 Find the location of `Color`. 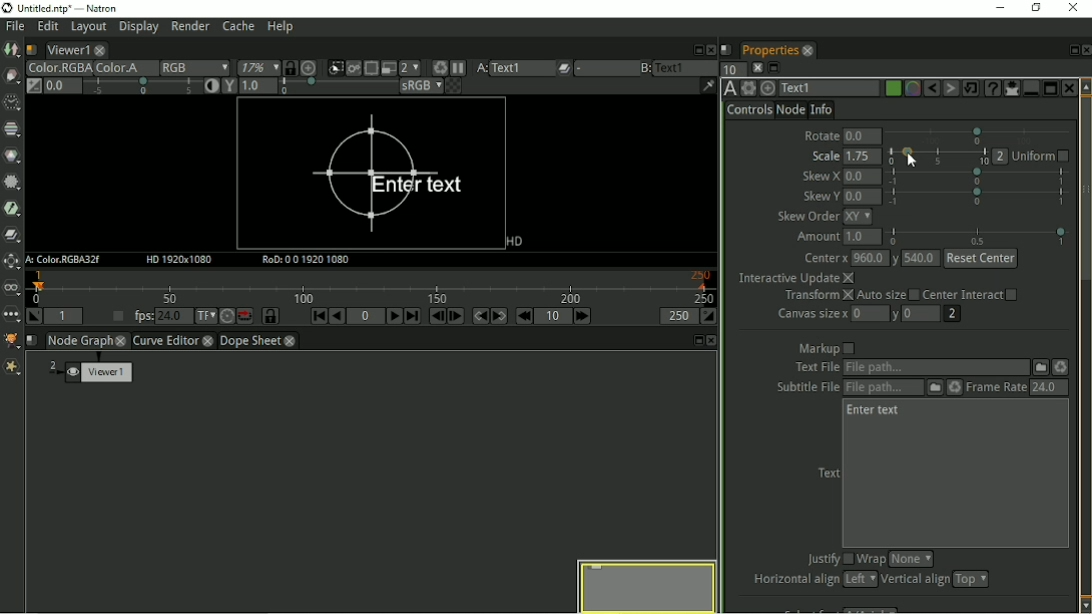

Color is located at coordinates (13, 156).